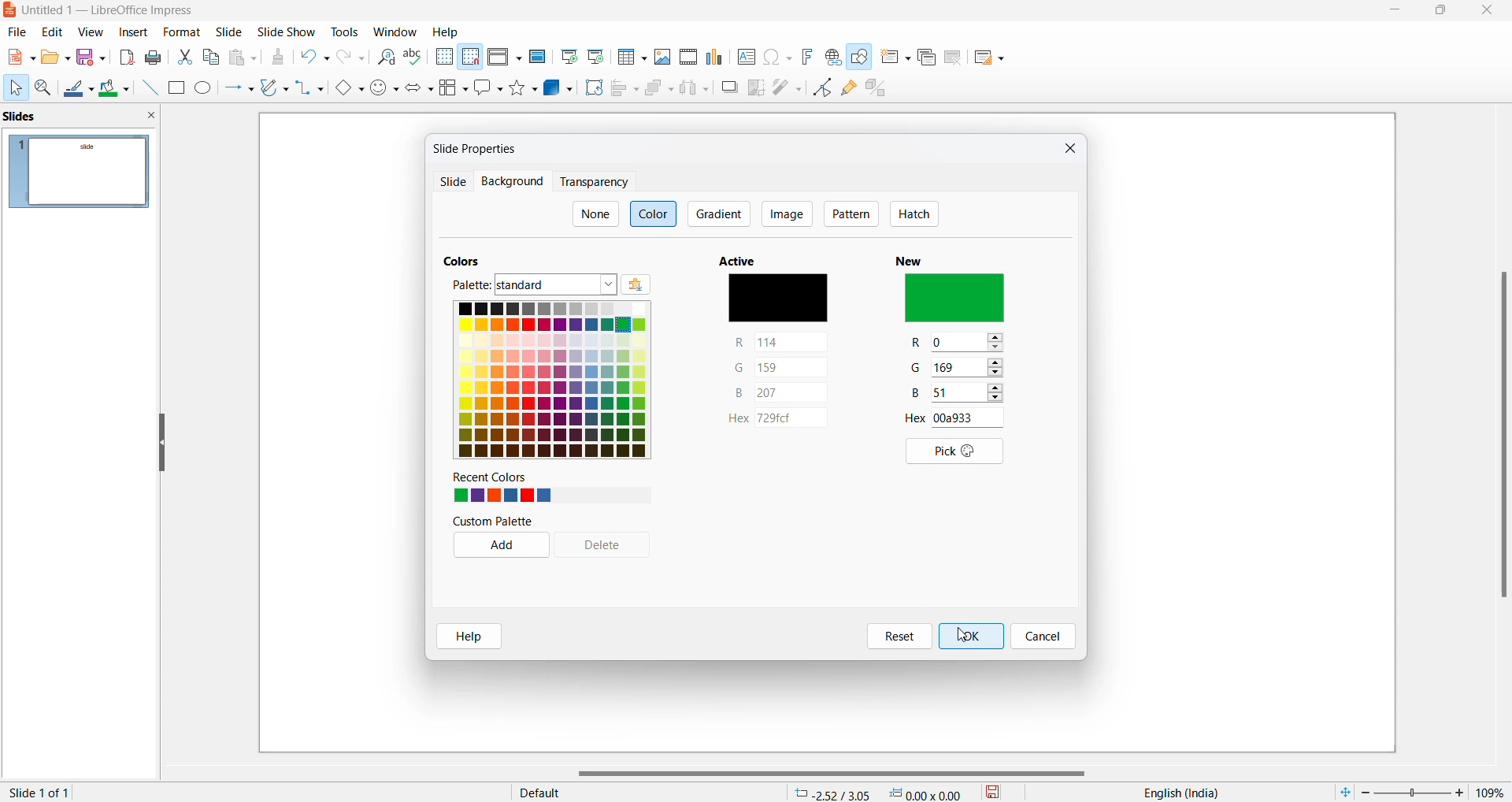 This screenshot has width=1512, height=802. Describe the element at coordinates (505, 58) in the screenshot. I see `display view` at that location.